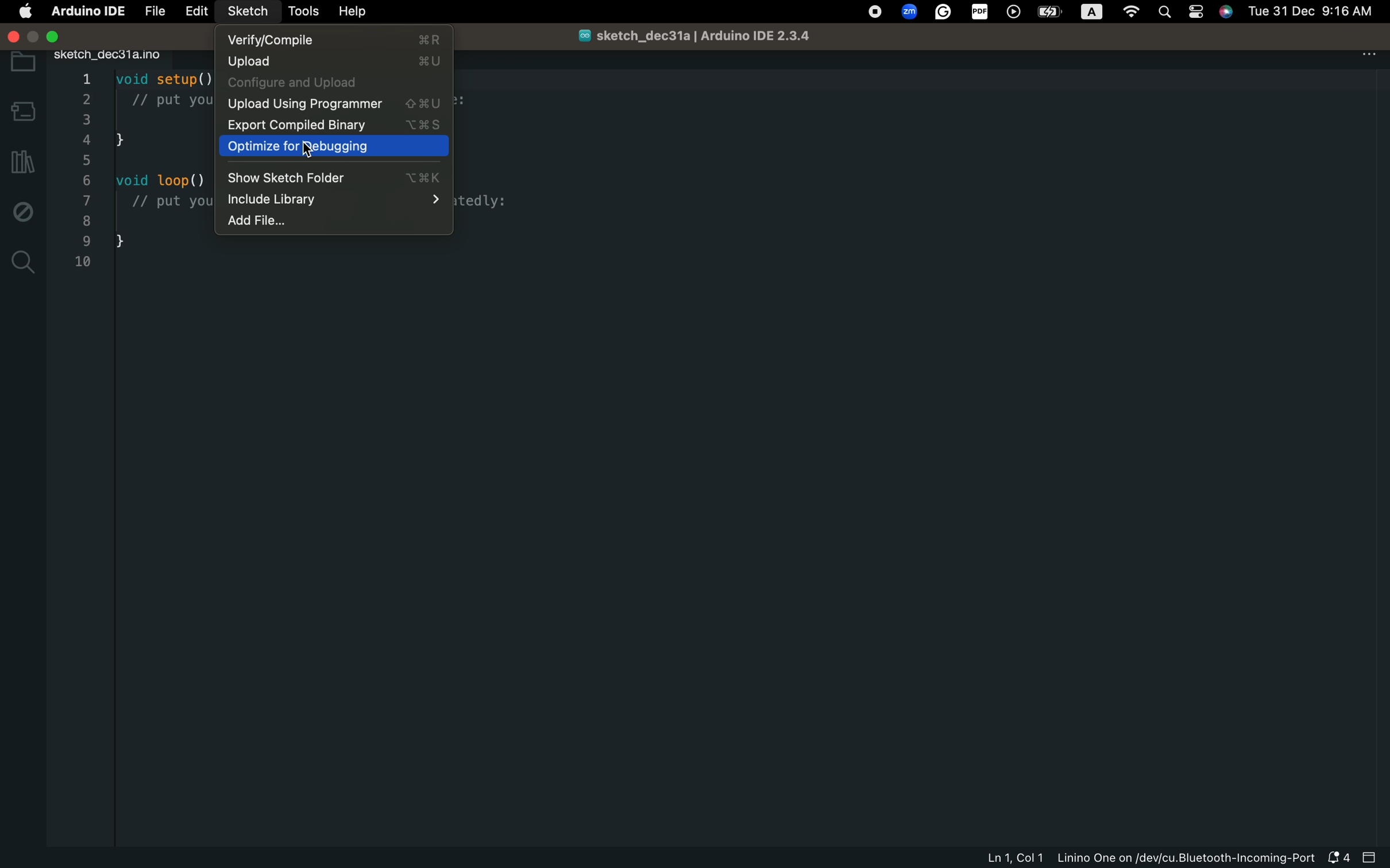  What do you see at coordinates (334, 147) in the screenshot?
I see `optimize` at bounding box center [334, 147].